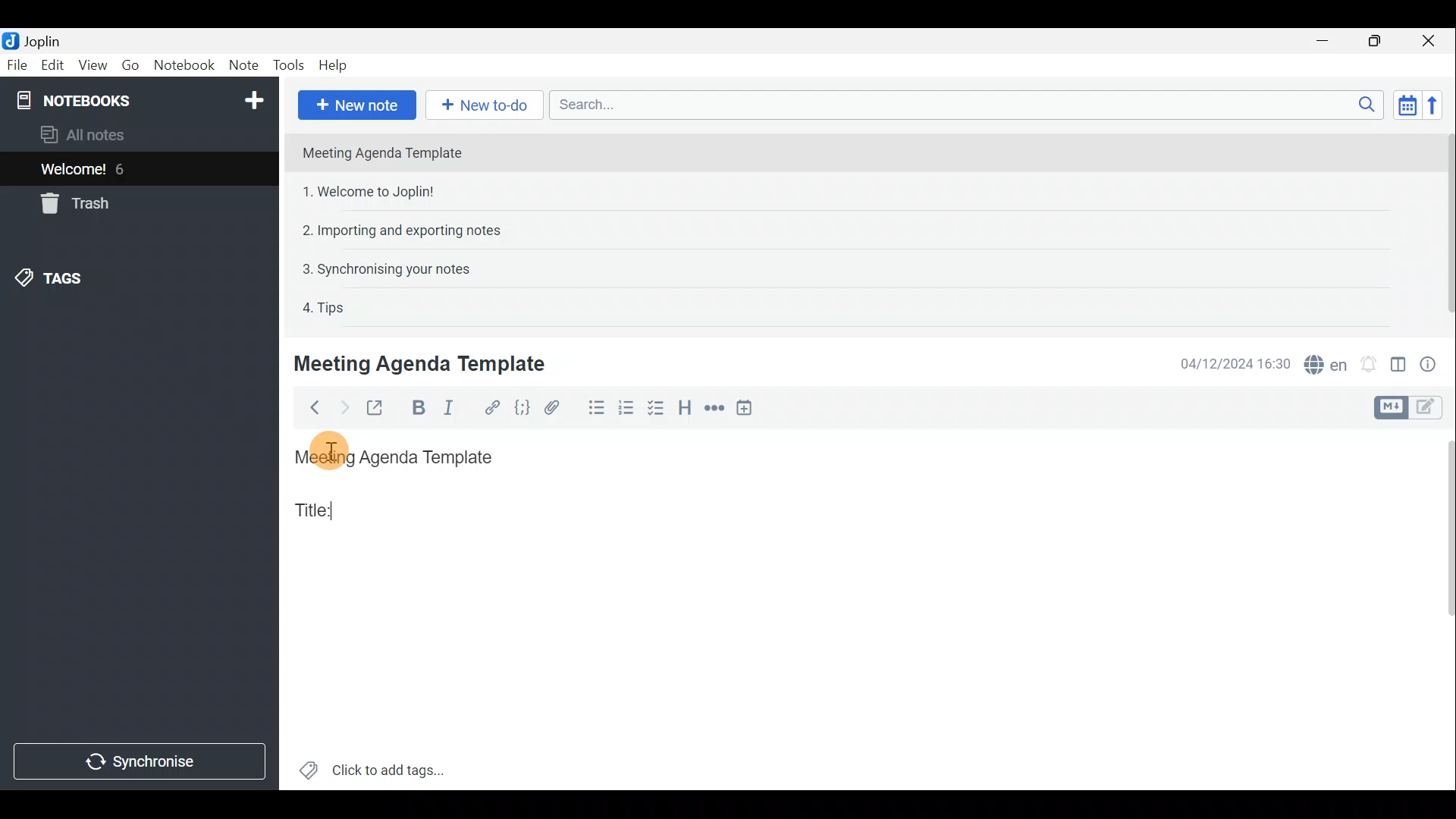  I want to click on File, so click(17, 64).